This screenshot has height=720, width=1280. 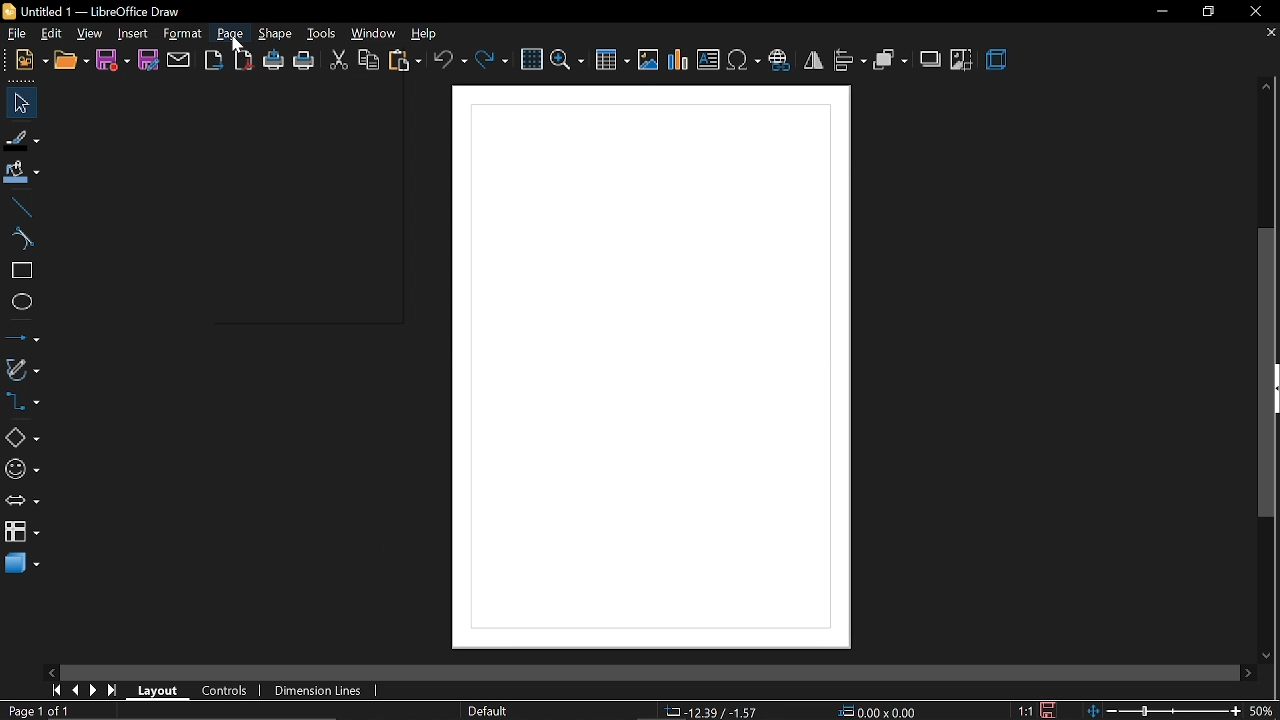 What do you see at coordinates (50, 672) in the screenshot?
I see `move left` at bounding box center [50, 672].